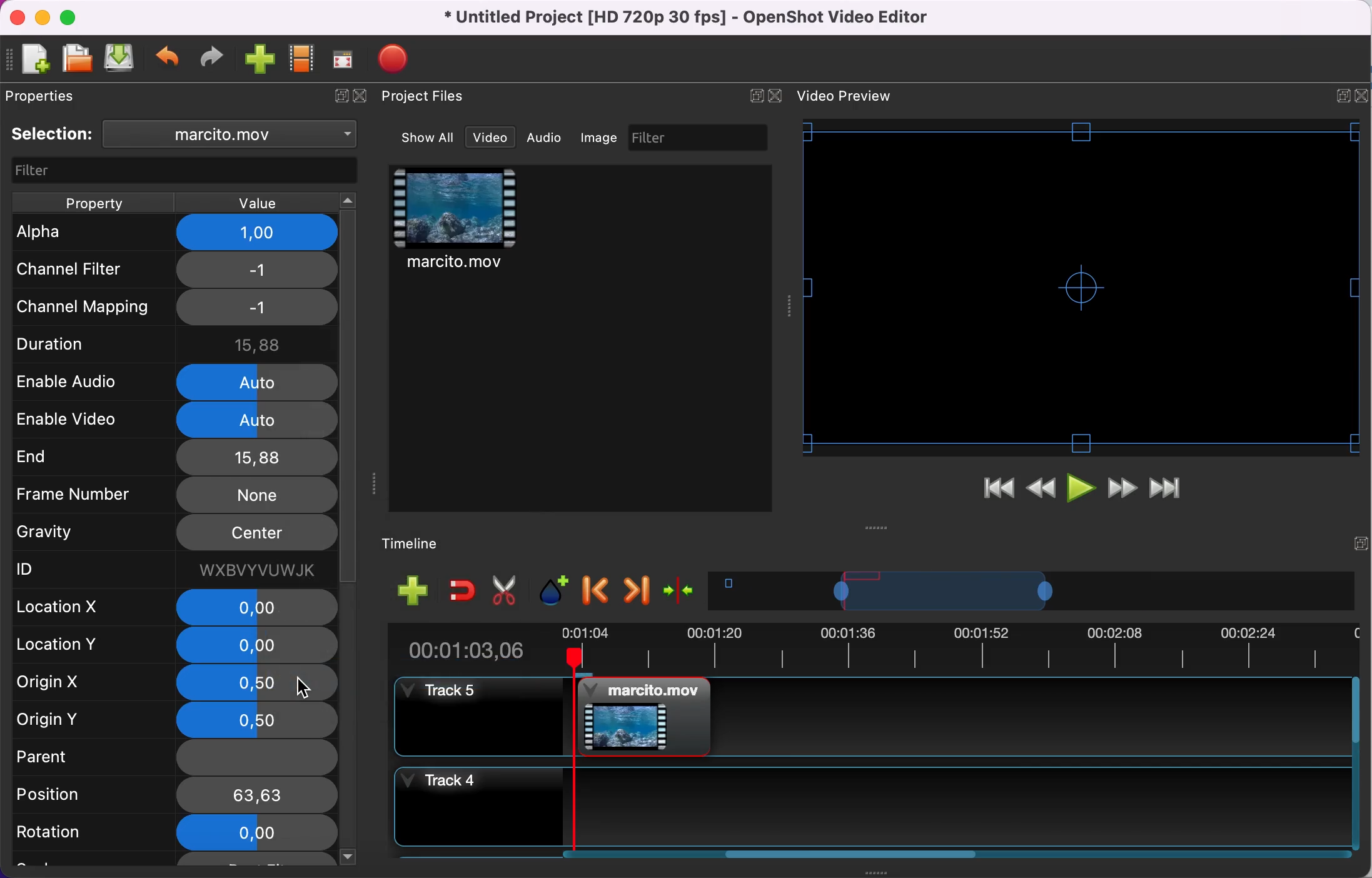 The height and width of the screenshot is (878, 1372). What do you see at coordinates (756, 96) in the screenshot?
I see `Expand/Collapse` at bounding box center [756, 96].